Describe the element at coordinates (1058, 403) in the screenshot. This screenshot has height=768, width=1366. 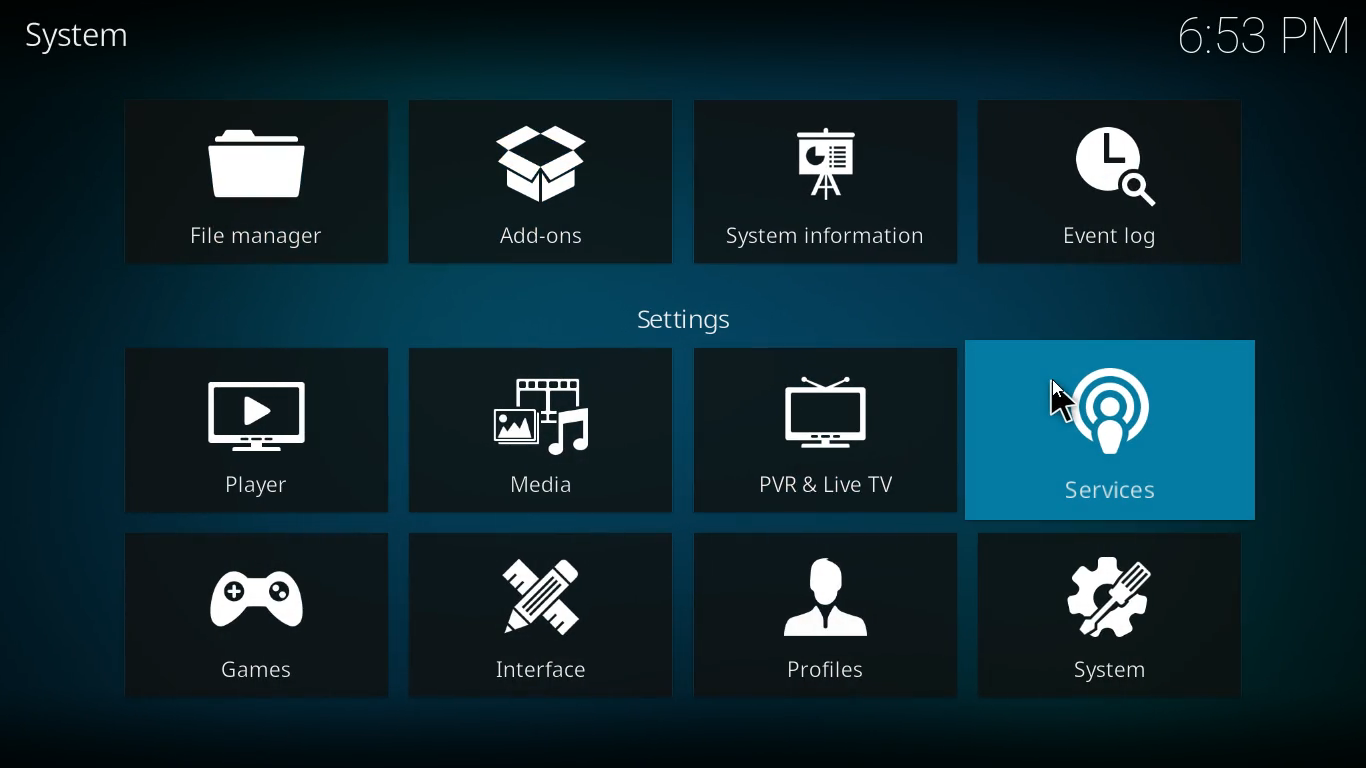
I see `Cursor` at that location.